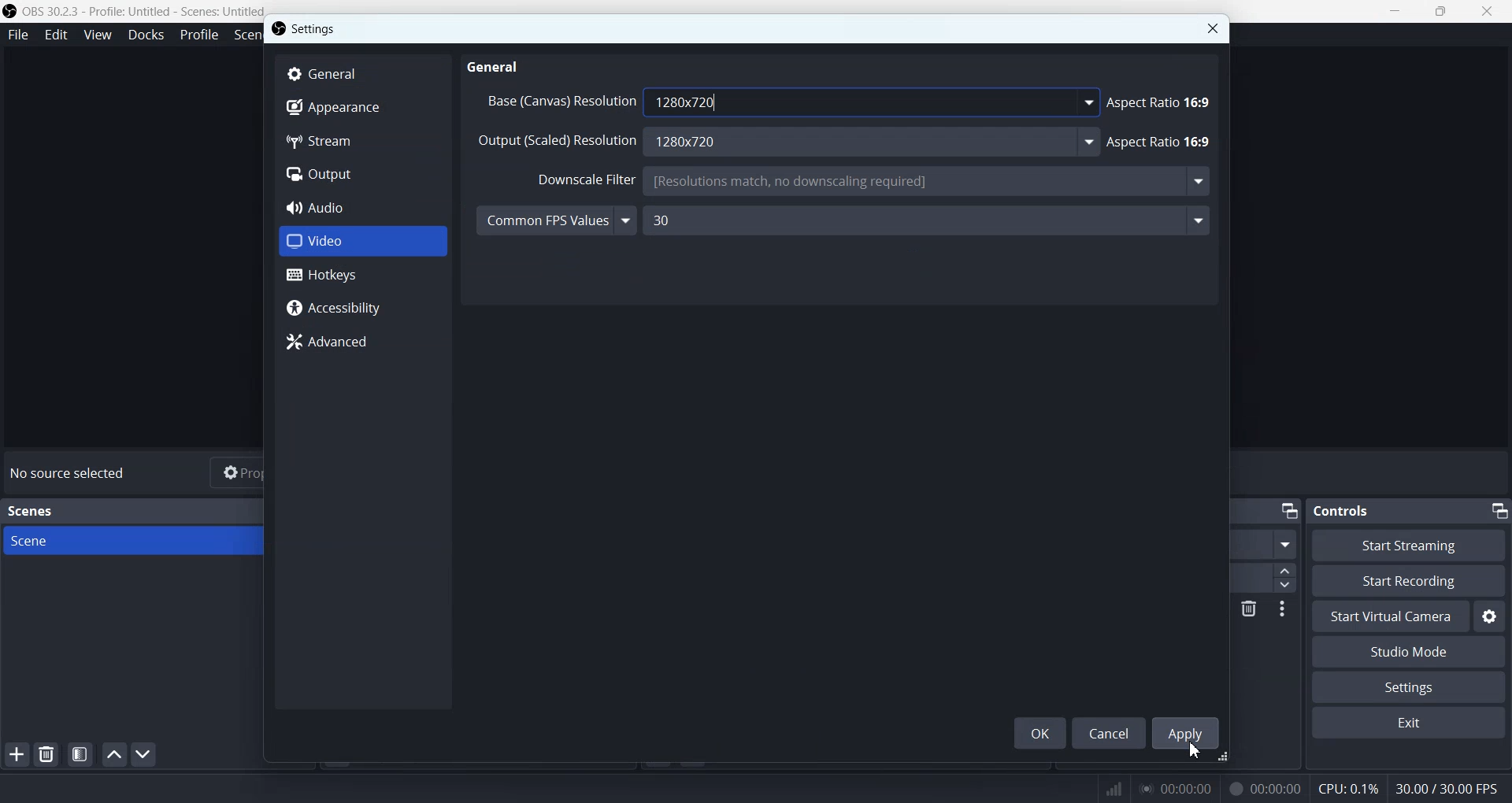  Describe the element at coordinates (361, 108) in the screenshot. I see `Appearance` at that location.